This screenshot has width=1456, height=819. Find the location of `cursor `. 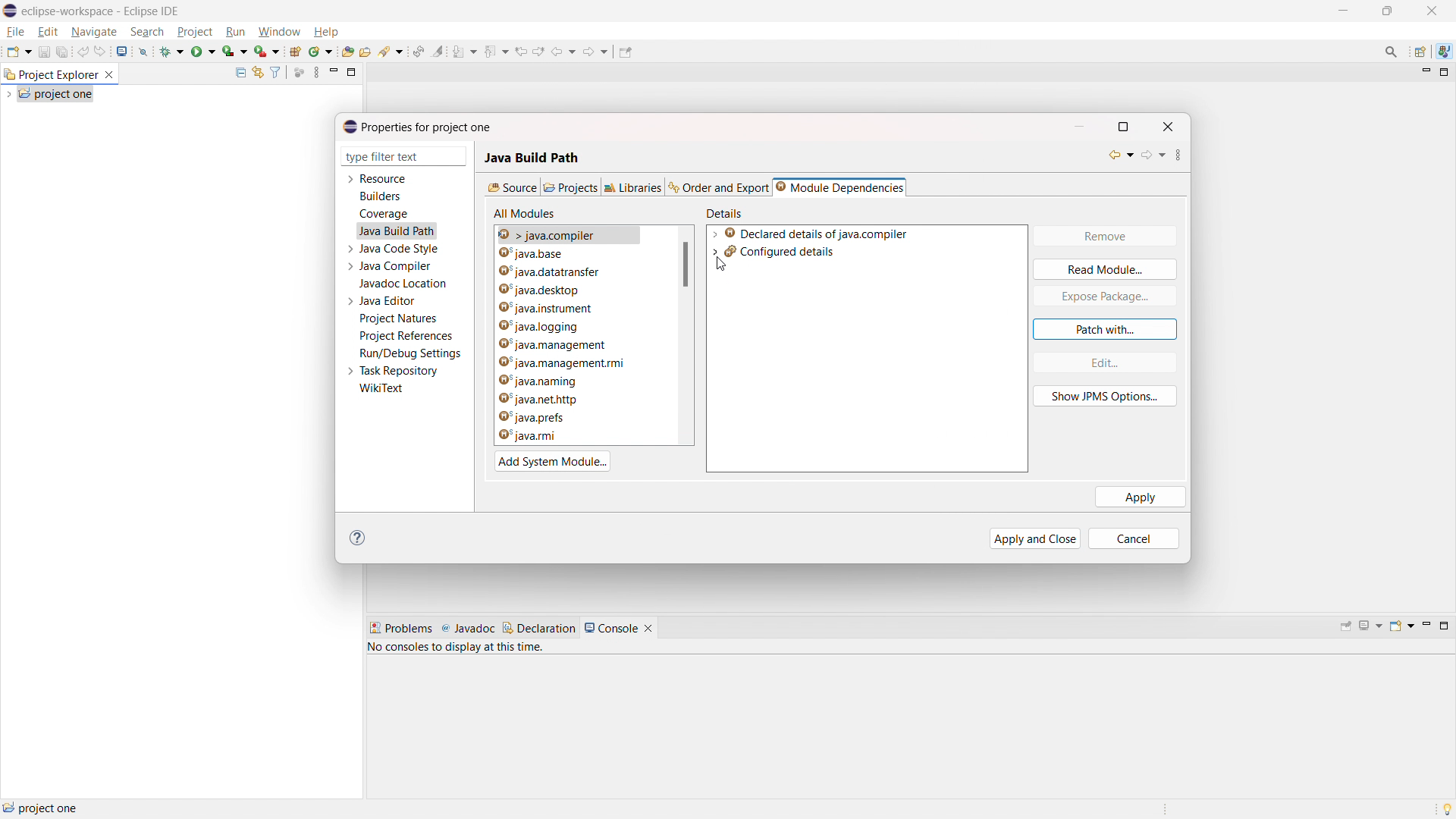

cursor  is located at coordinates (724, 264).